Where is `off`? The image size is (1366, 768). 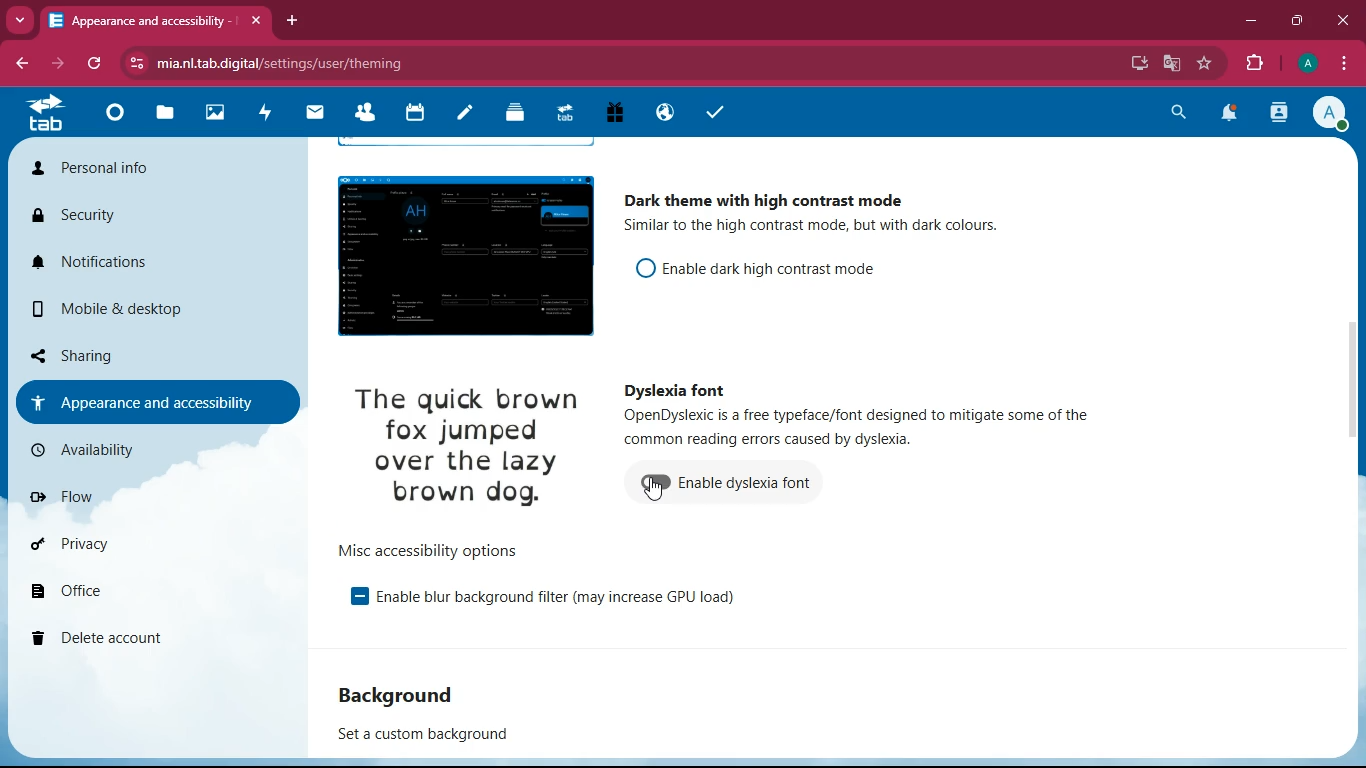
off is located at coordinates (638, 268).